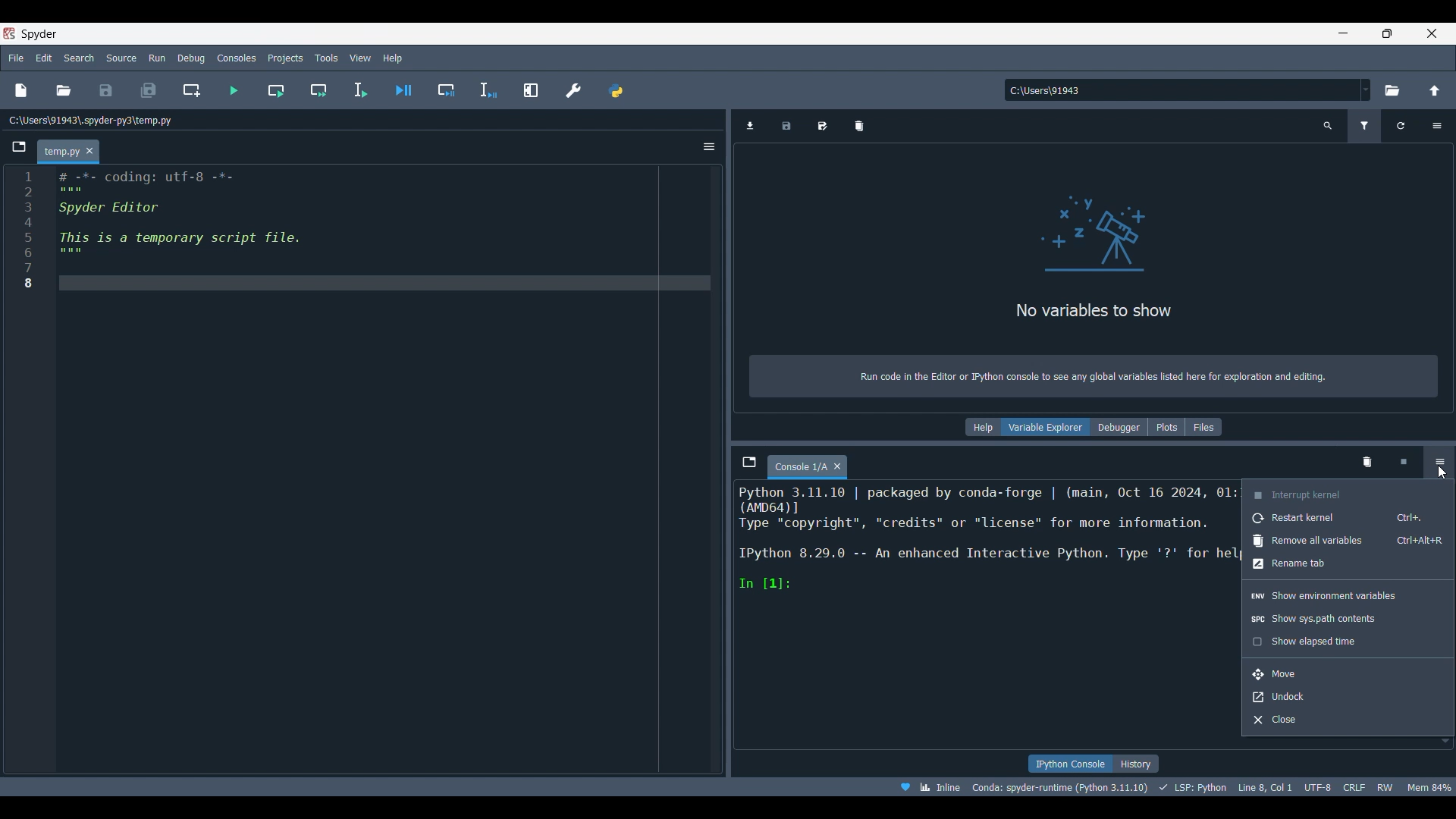 Image resolution: width=1456 pixels, height=819 pixels. Describe the element at coordinates (1434, 90) in the screenshot. I see `Change to parent directory` at that location.